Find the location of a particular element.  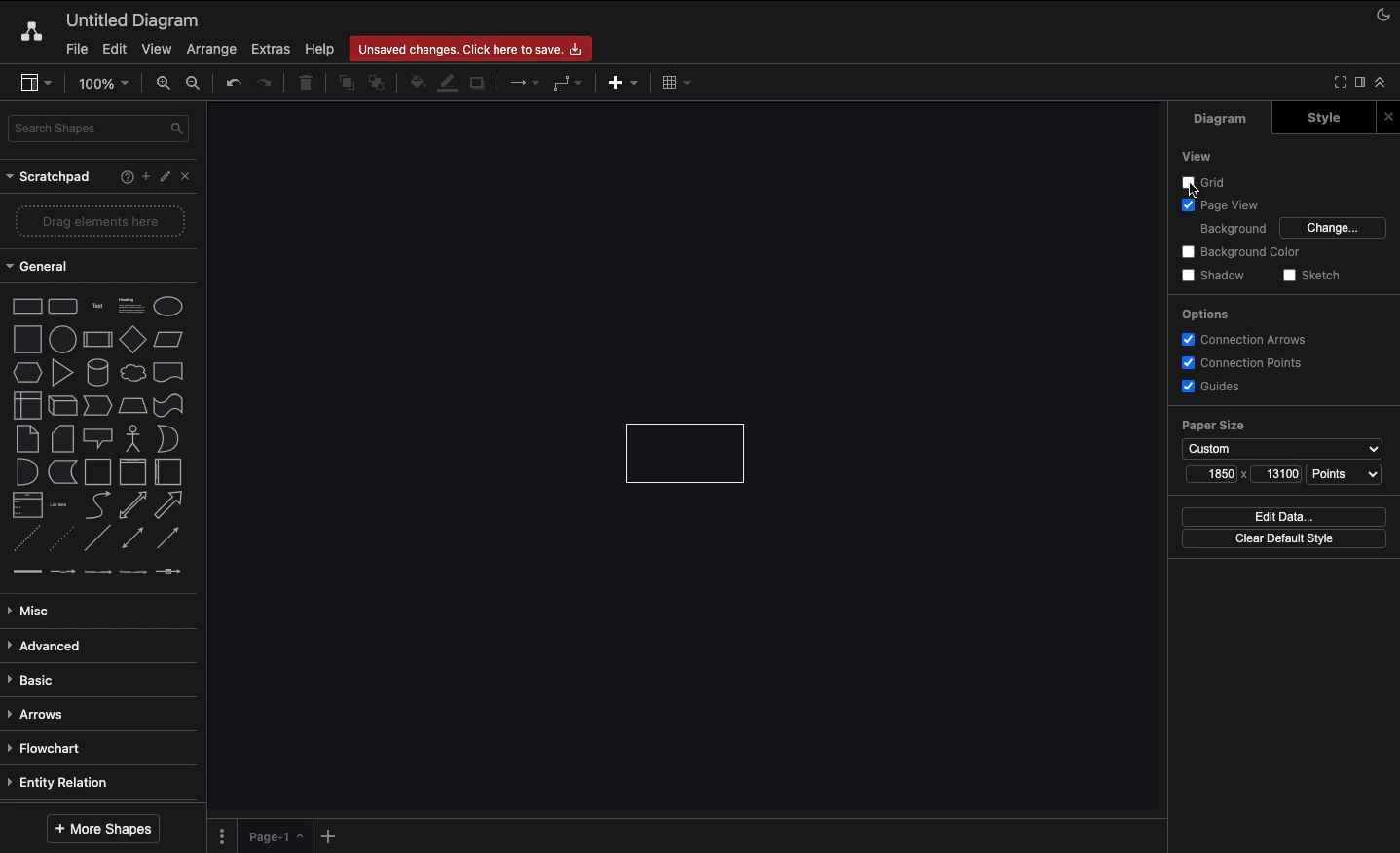

Entity relation  is located at coordinates (69, 784).